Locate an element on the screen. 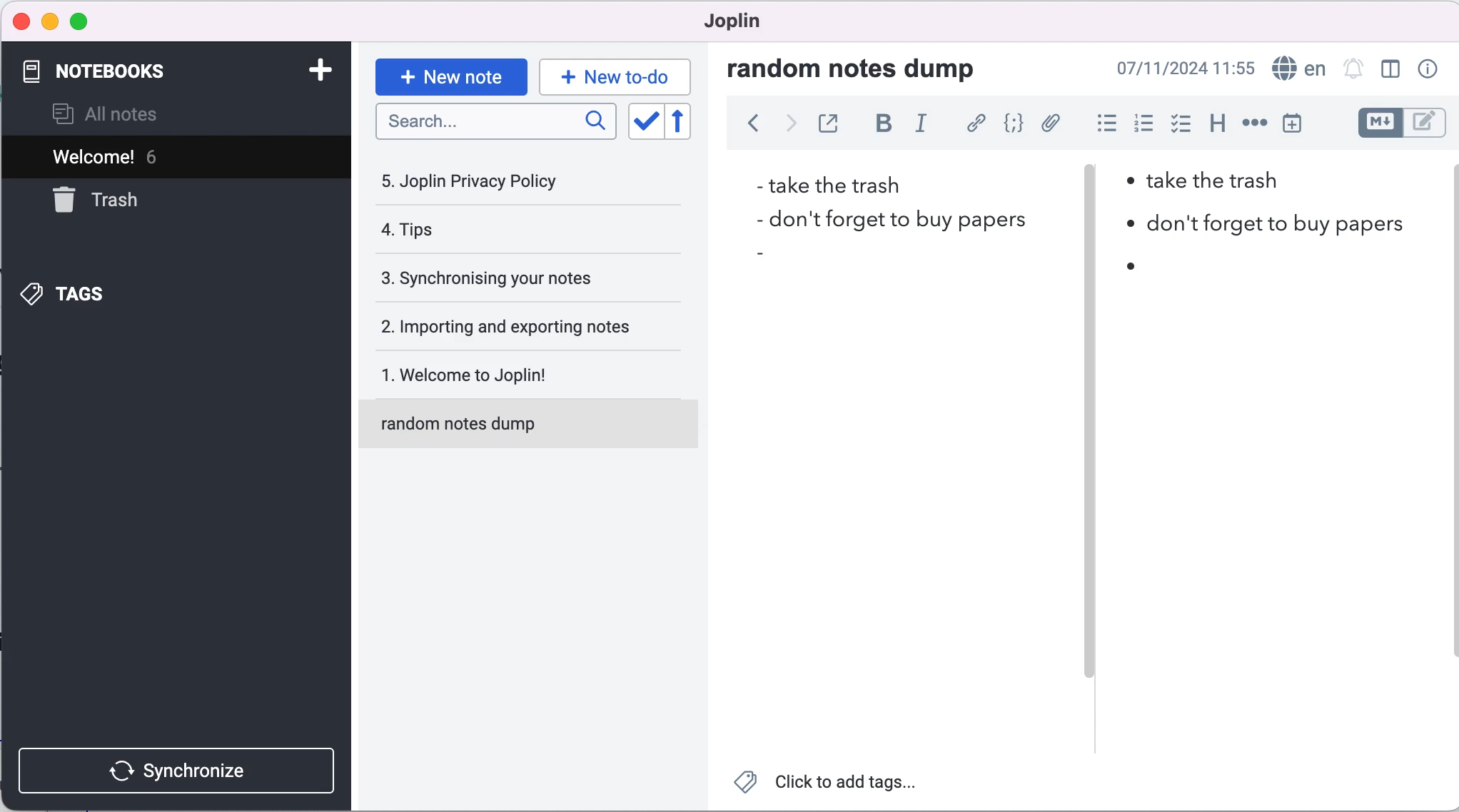 This screenshot has width=1459, height=812. reverse sort order is located at coordinates (690, 122).